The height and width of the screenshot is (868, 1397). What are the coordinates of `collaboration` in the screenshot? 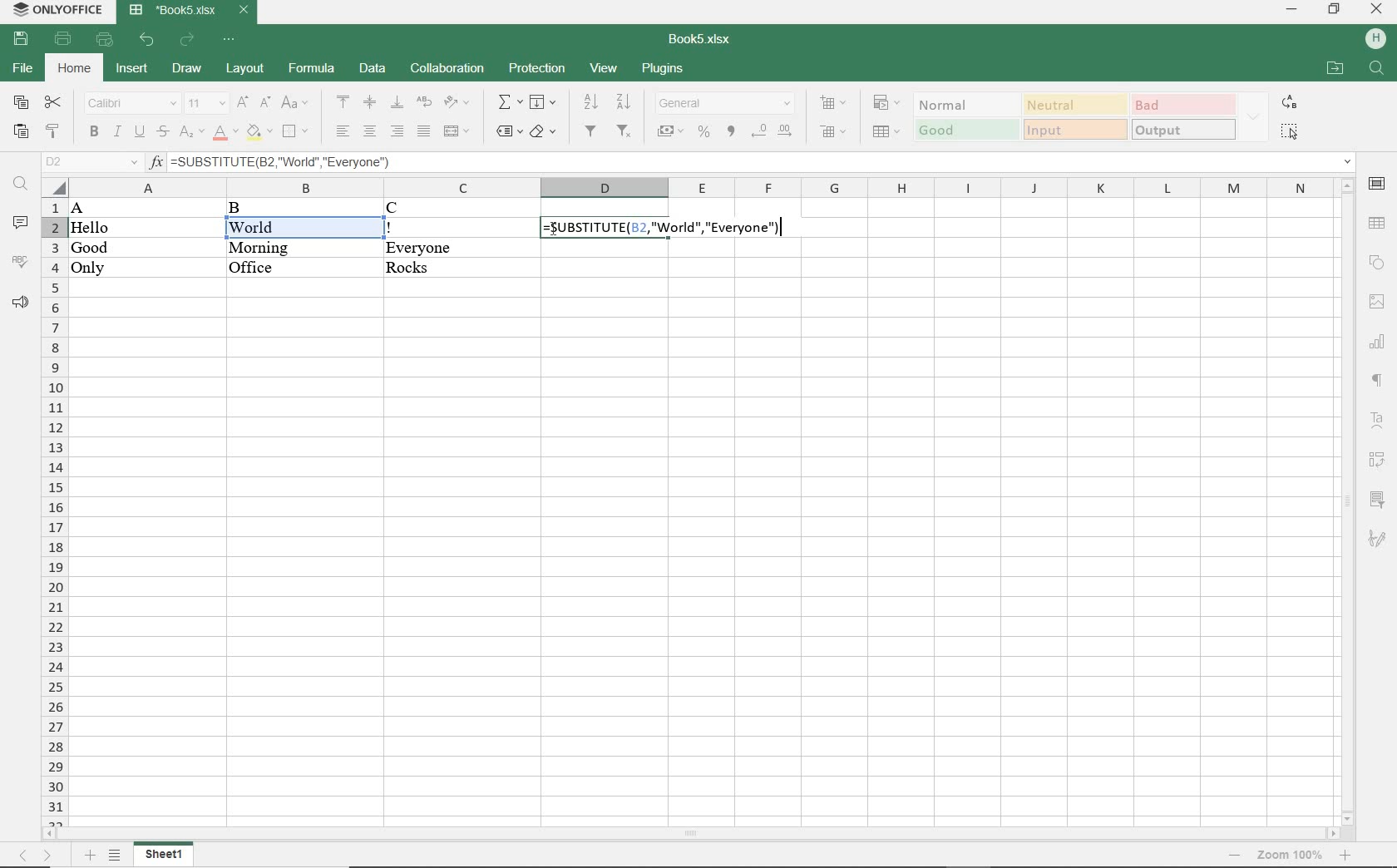 It's located at (446, 70).